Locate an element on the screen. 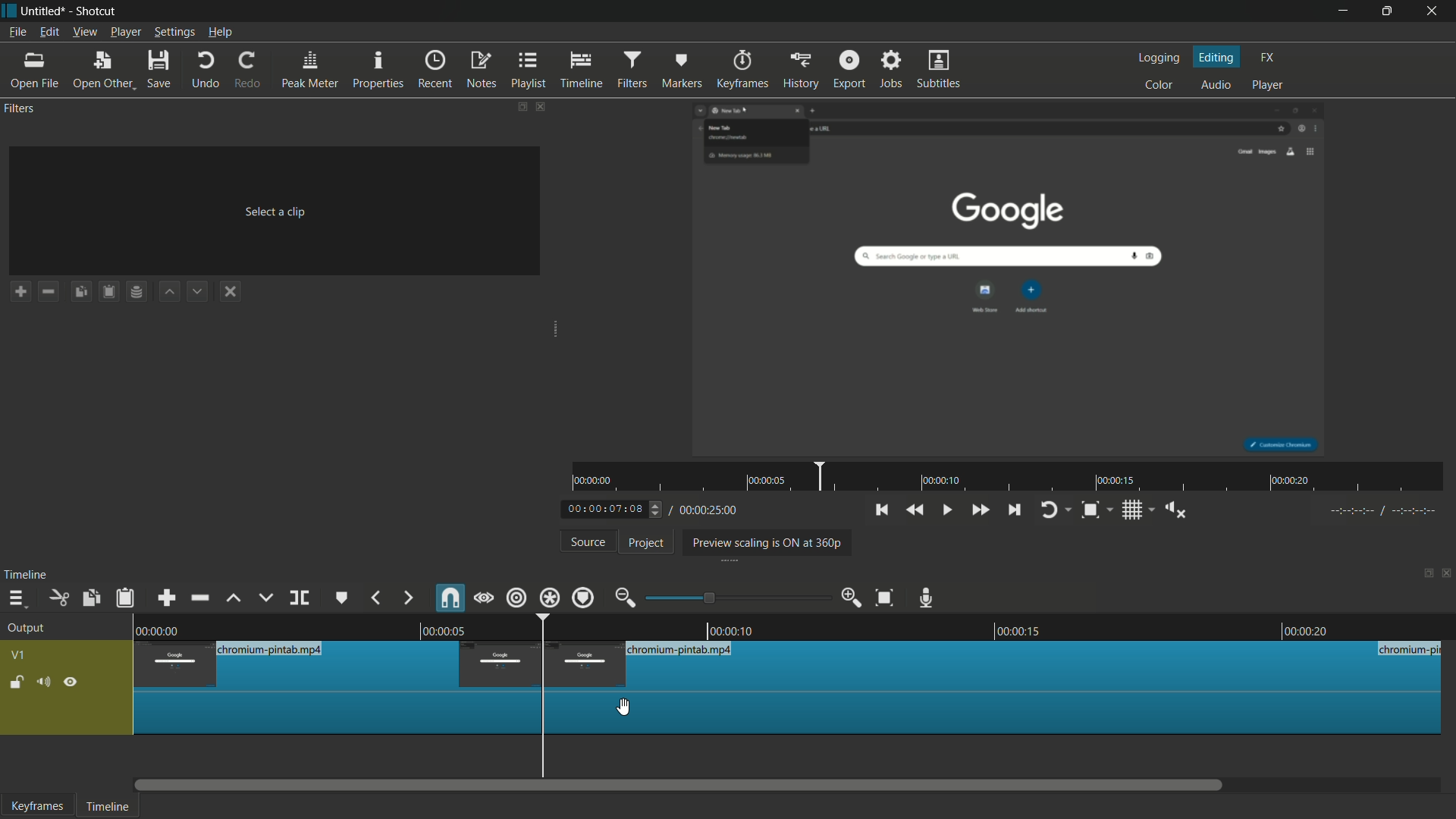   is located at coordinates (1267, 55).